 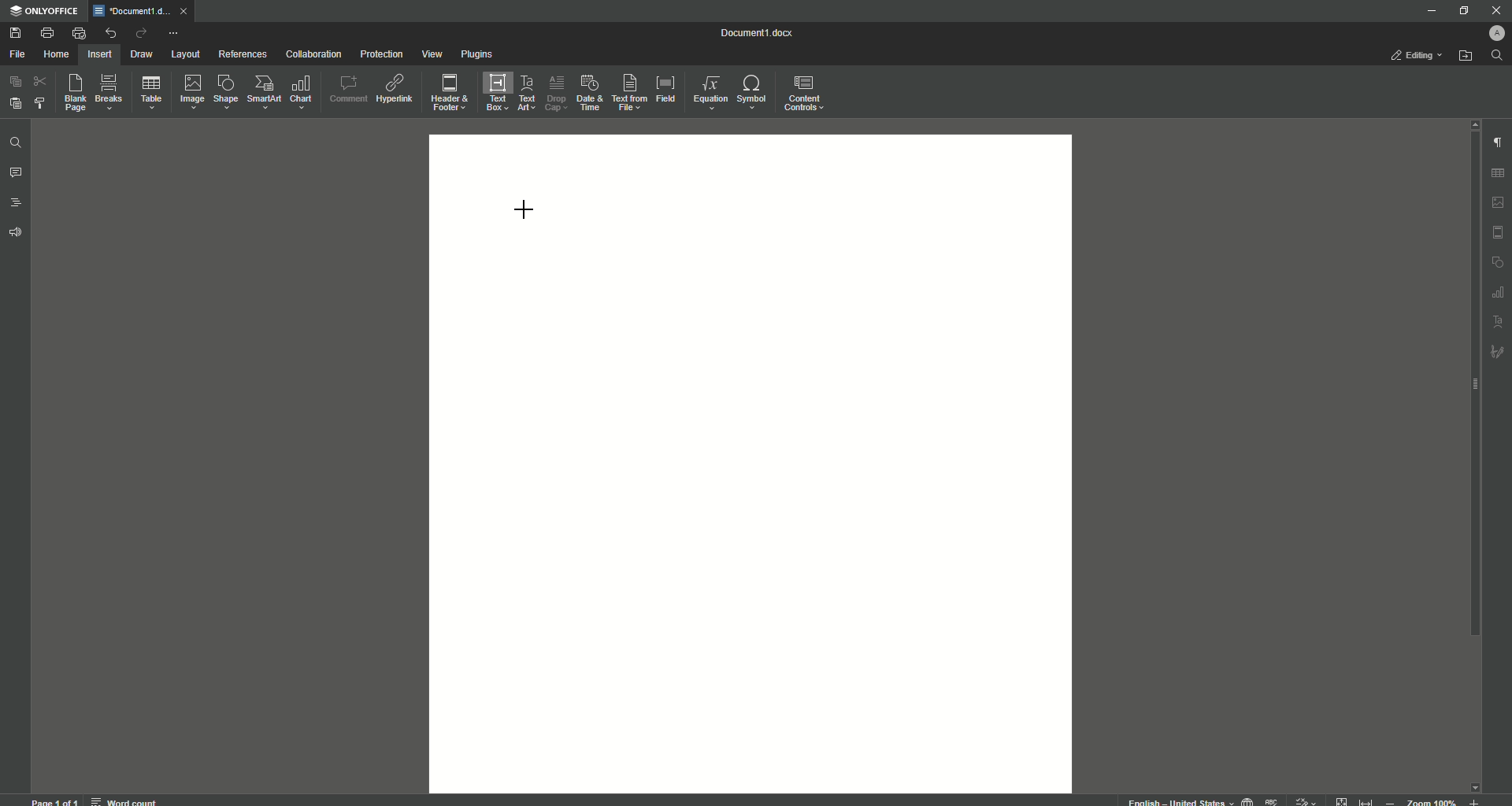 What do you see at coordinates (172, 35) in the screenshot?
I see `More Actions` at bounding box center [172, 35].